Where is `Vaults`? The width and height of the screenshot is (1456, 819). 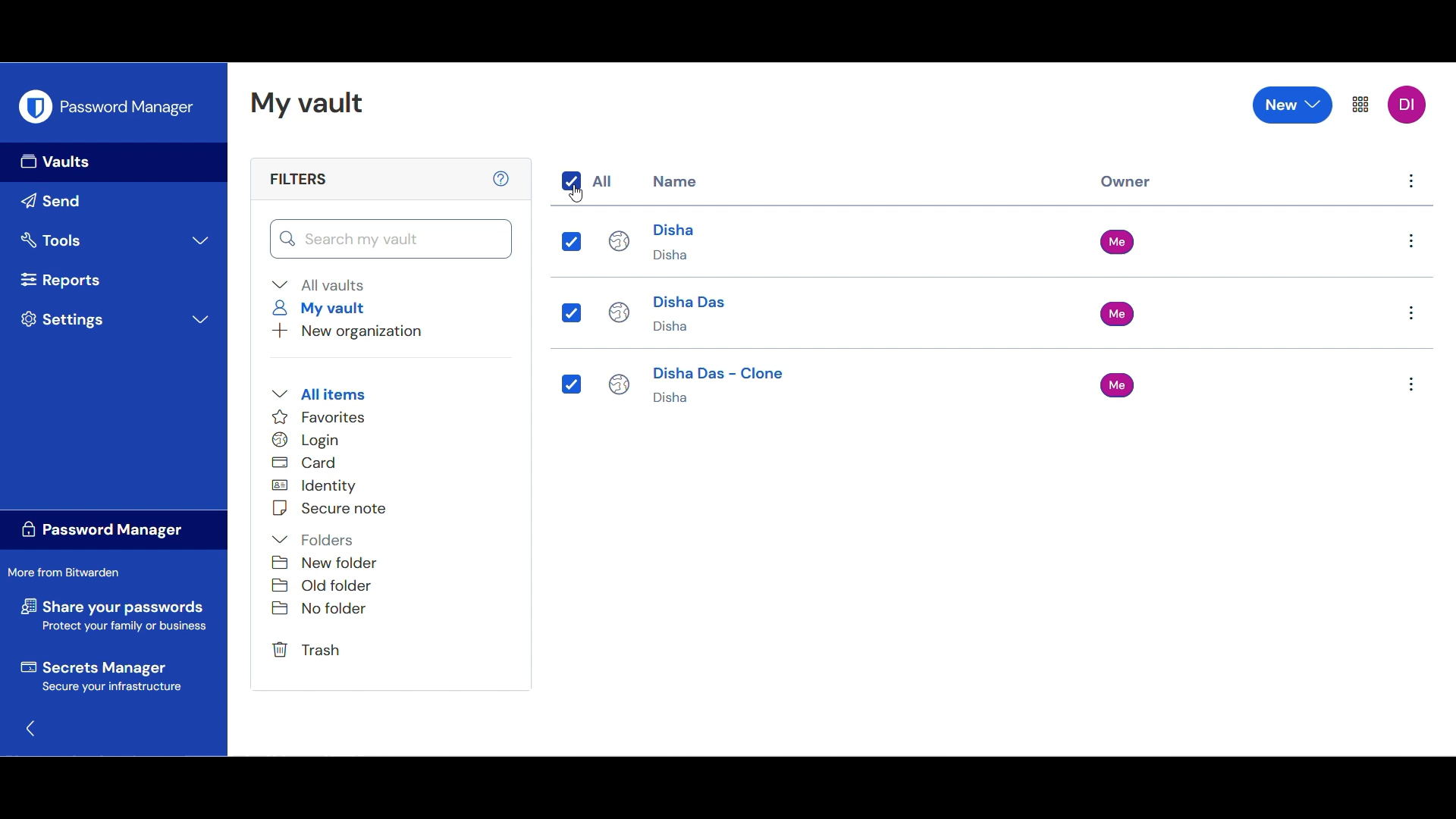
Vaults is located at coordinates (114, 162).